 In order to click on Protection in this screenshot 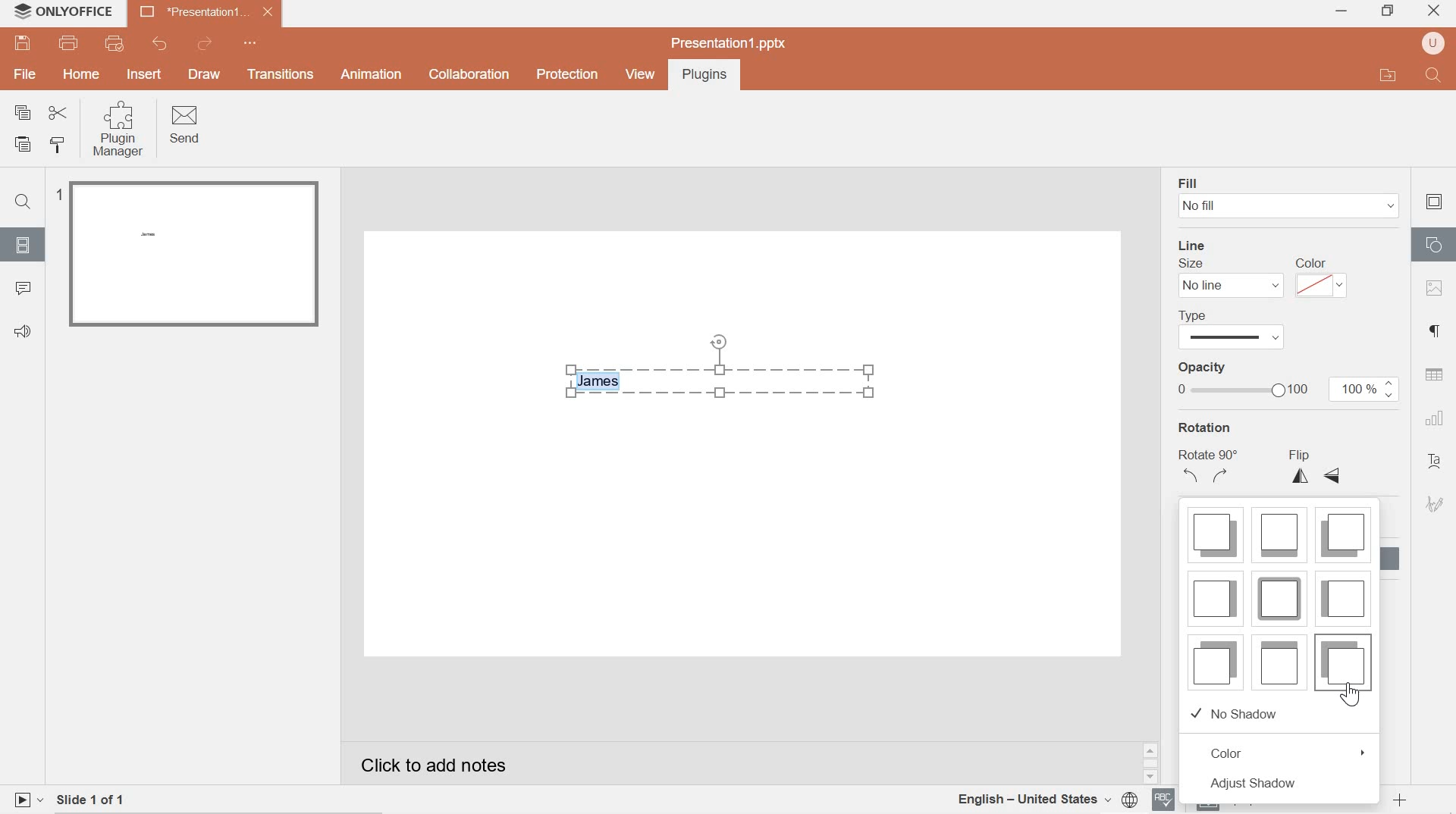, I will do `click(566, 75)`.